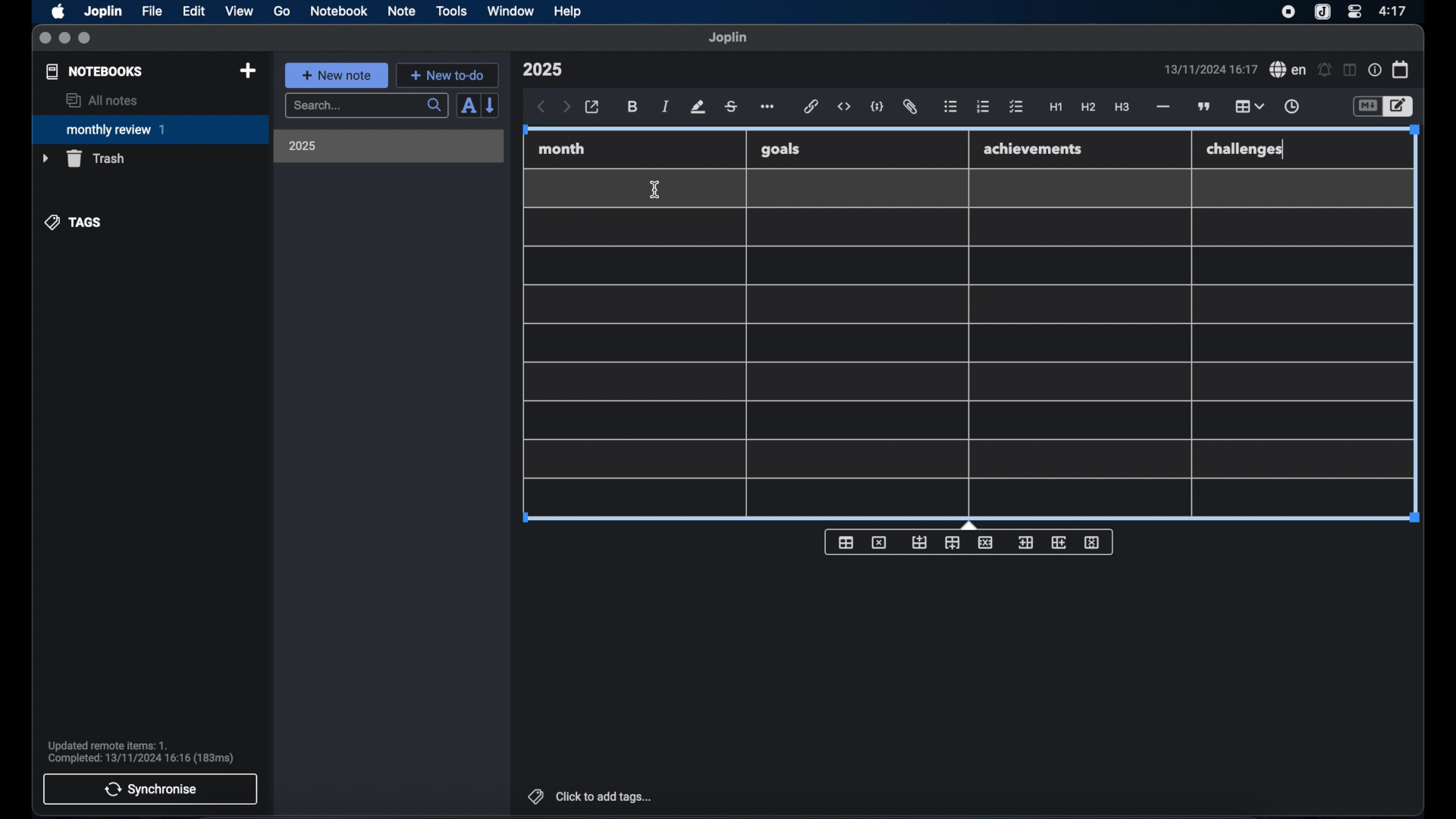  Describe the element at coordinates (634, 107) in the screenshot. I see `bold` at that location.